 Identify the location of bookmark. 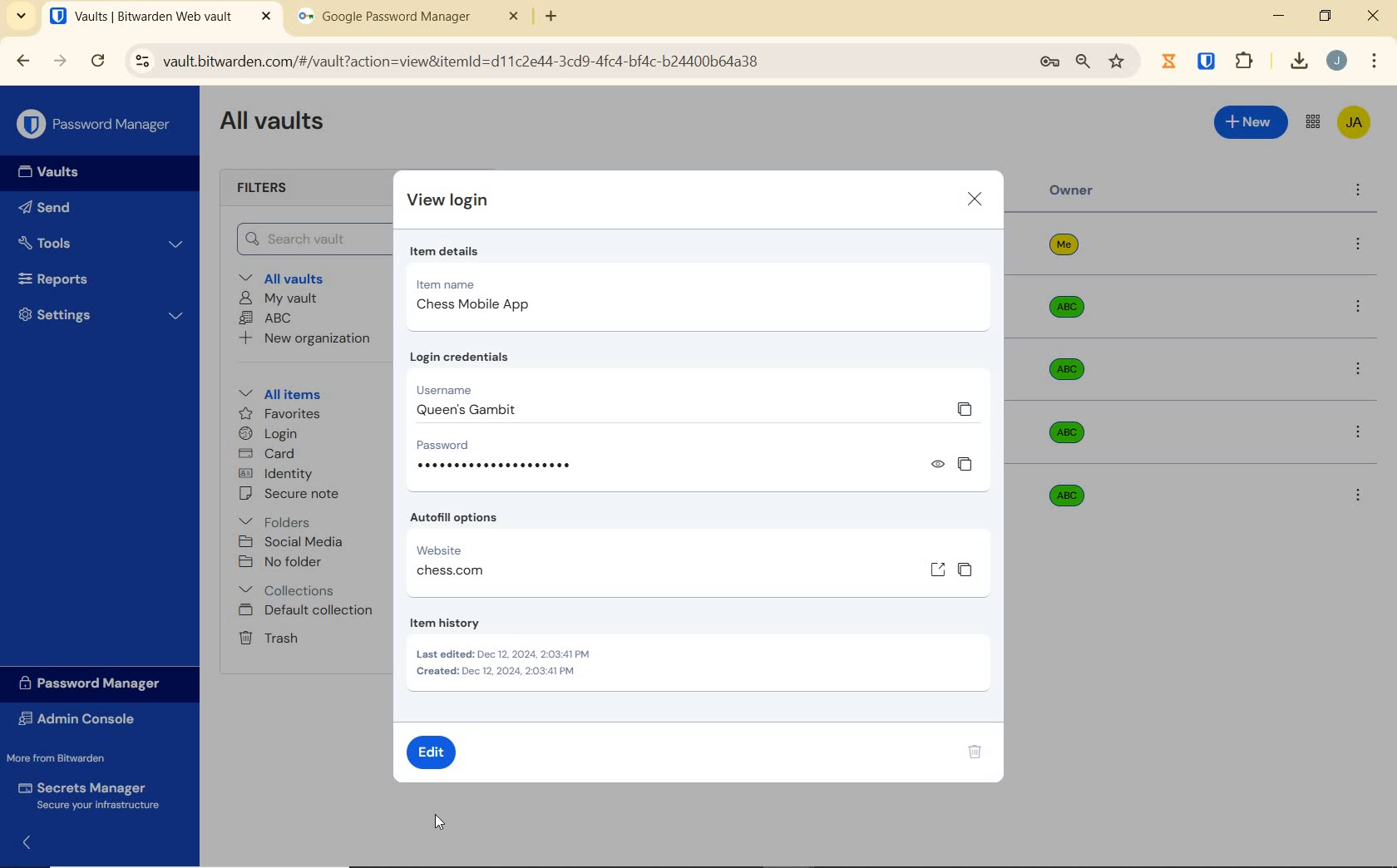
(1118, 61).